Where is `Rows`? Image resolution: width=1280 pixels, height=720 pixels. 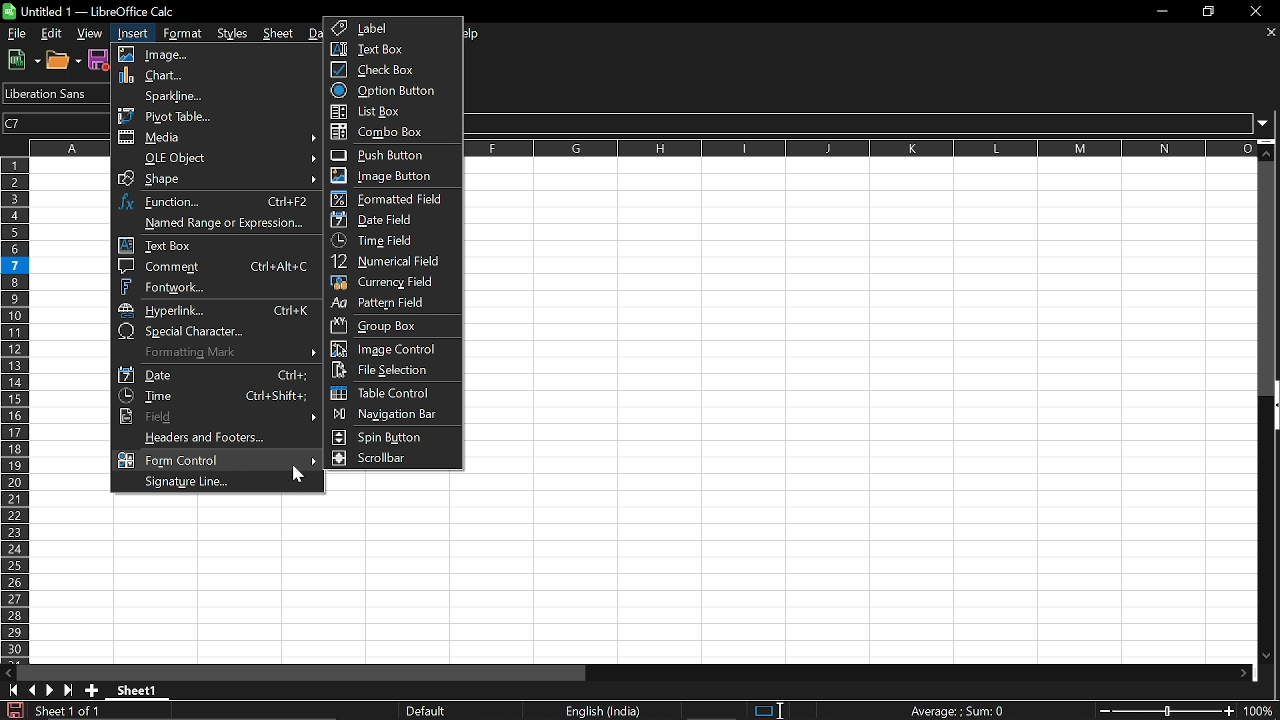 Rows is located at coordinates (14, 410).